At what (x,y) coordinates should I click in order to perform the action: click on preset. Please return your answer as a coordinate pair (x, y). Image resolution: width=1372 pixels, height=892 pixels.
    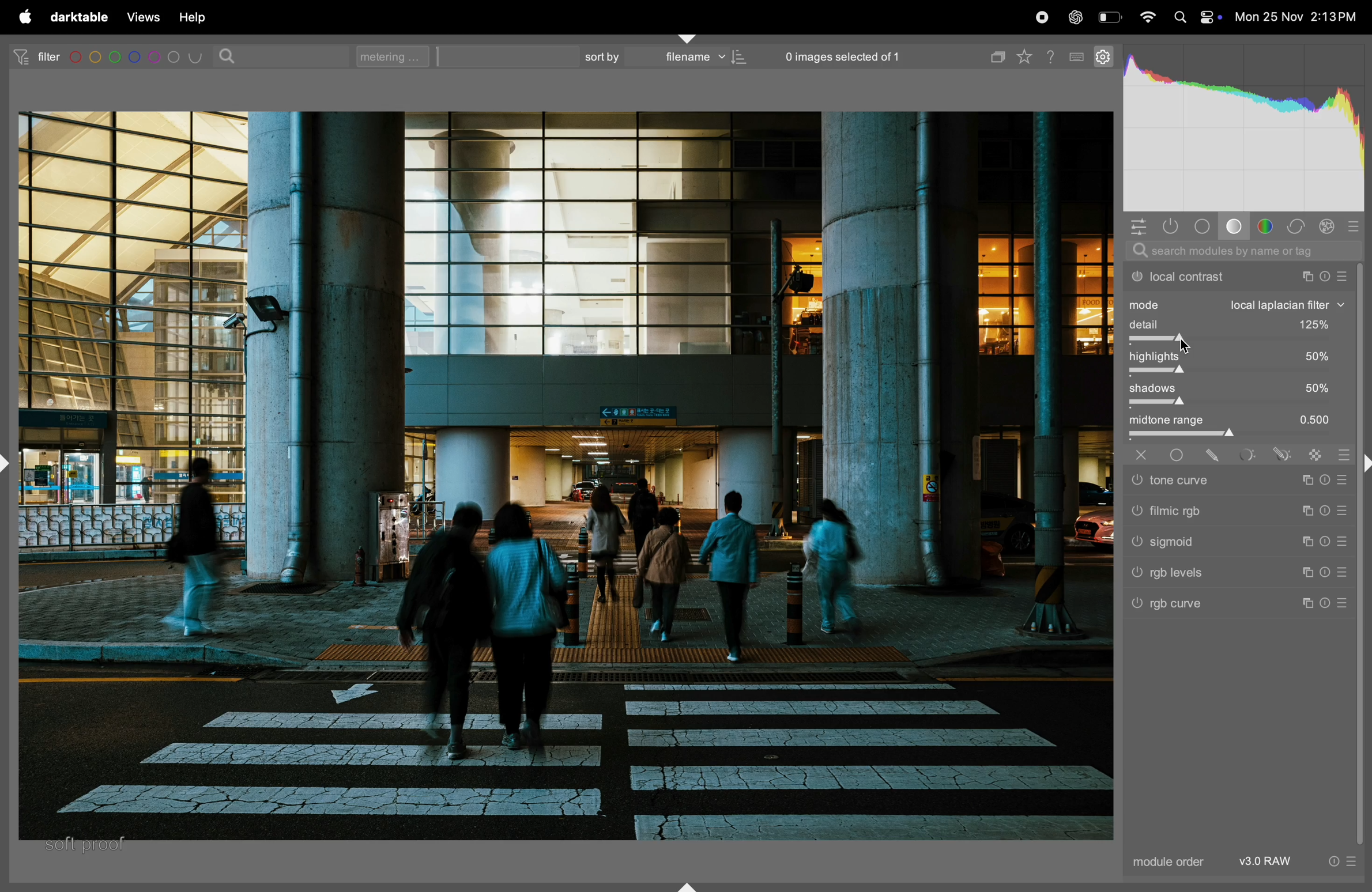
    Looking at the image, I should click on (1343, 573).